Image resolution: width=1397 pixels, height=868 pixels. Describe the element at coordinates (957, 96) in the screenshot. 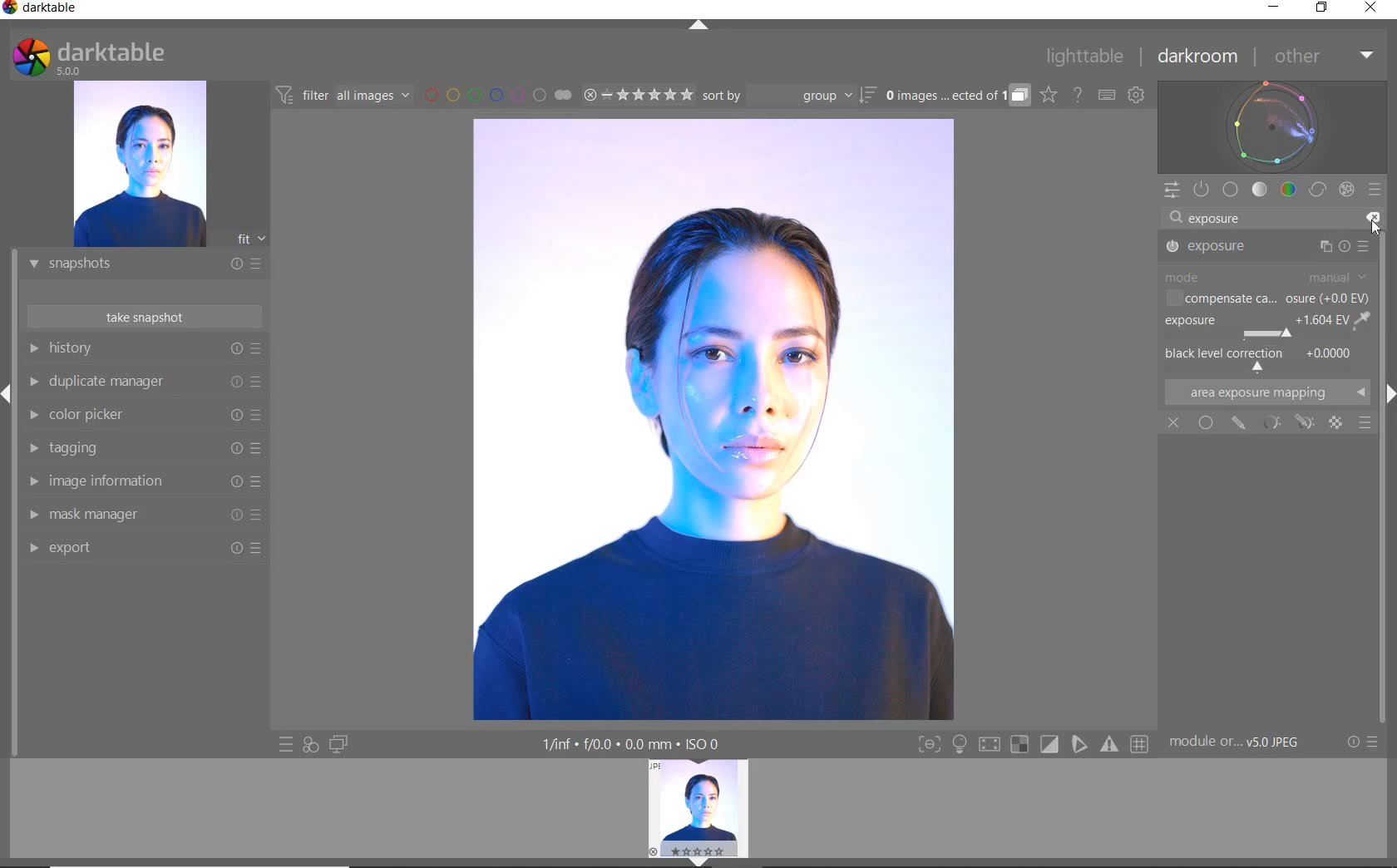

I see `EXPAND GROUPED IMAGES` at that location.